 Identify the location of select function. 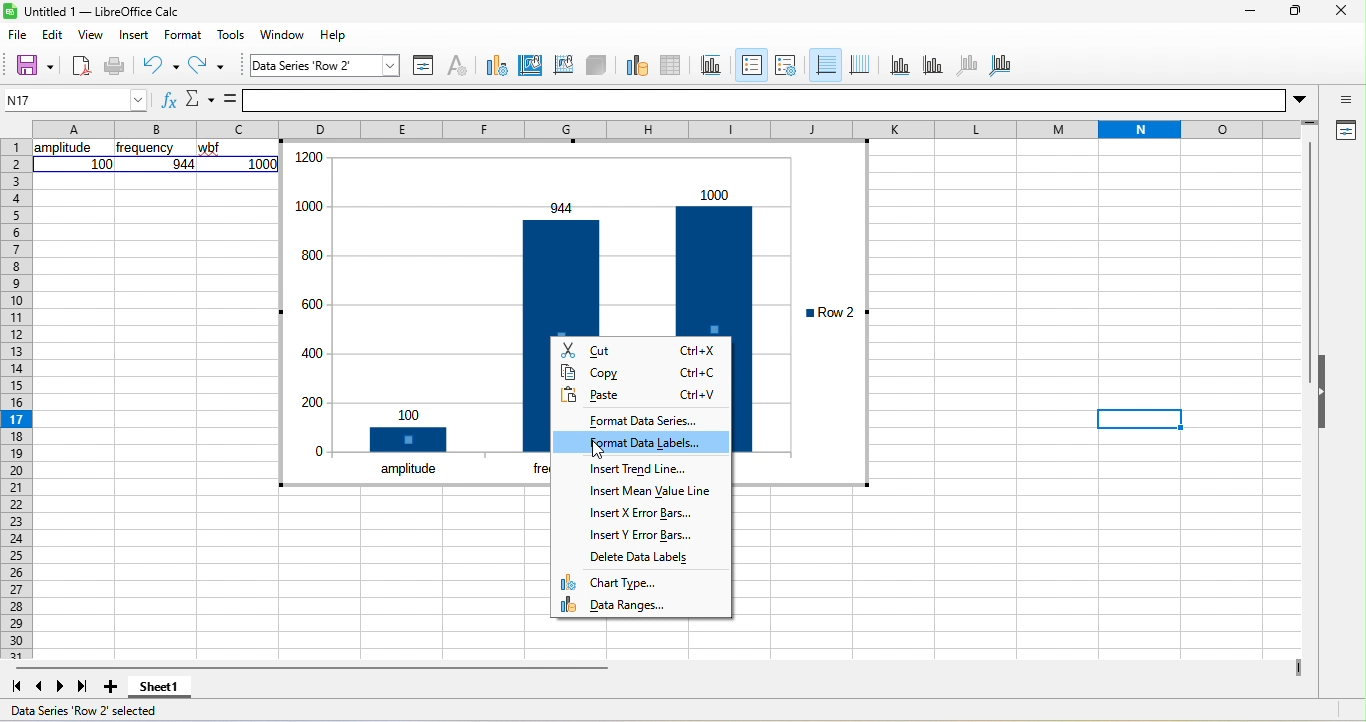
(201, 98).